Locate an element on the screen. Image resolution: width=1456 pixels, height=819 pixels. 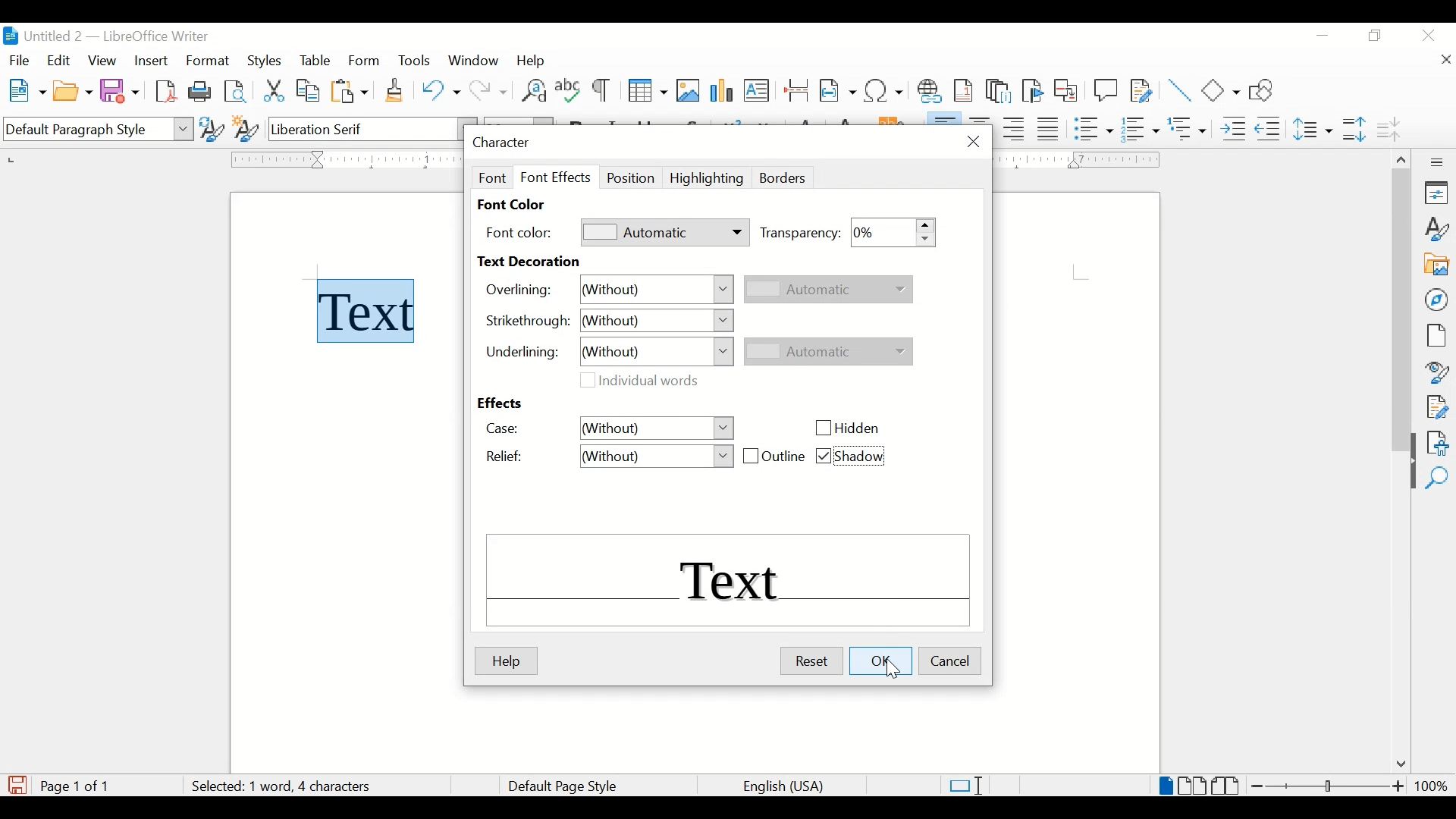
untitled 2 - libreOffice Writer is located at coordinates (105, 39).